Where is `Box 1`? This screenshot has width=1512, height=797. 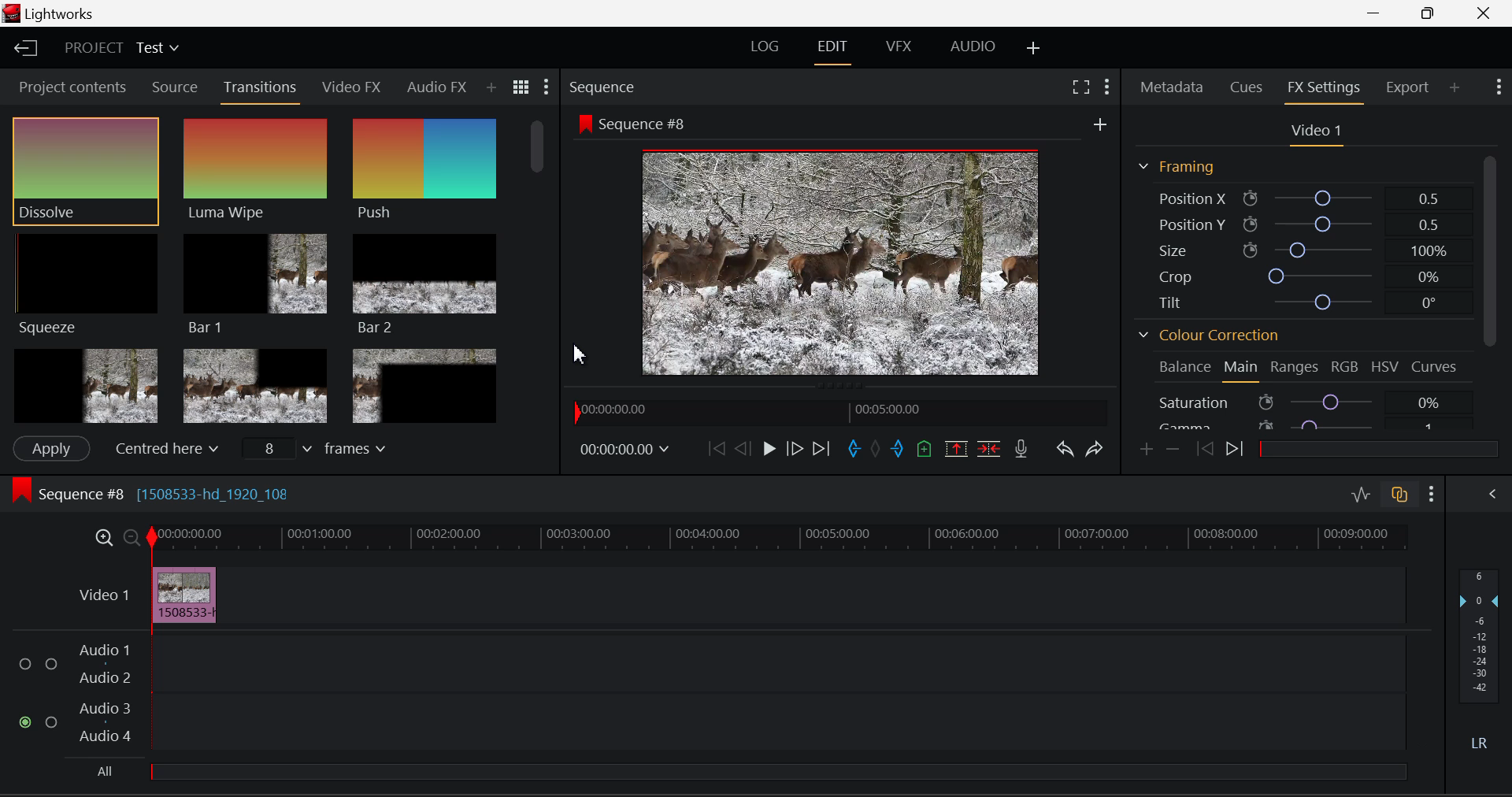 Box 1 is located at coordinates (84, 384).